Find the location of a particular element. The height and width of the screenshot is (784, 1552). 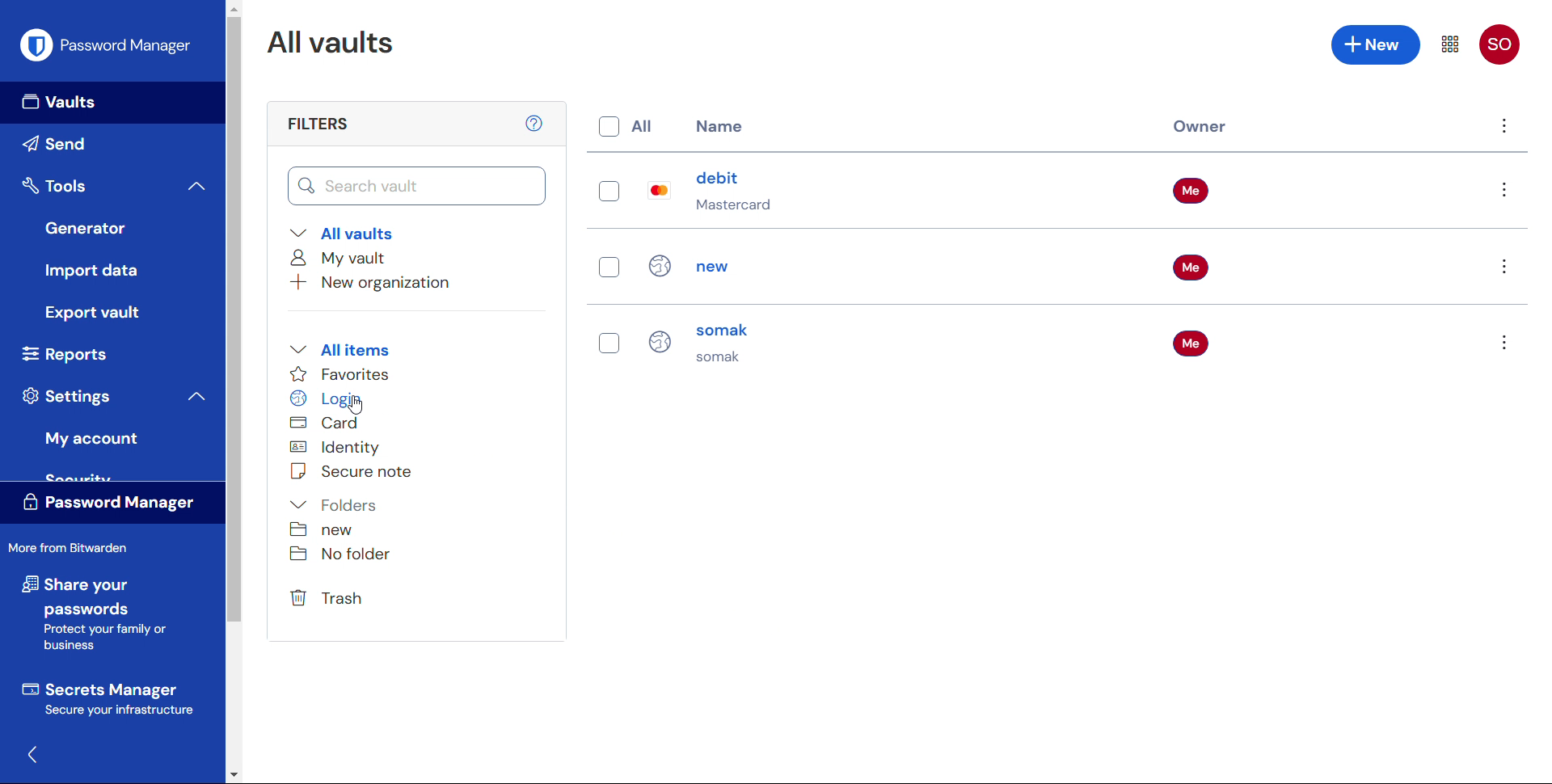

No folder  is located at coordinates (339, 556).